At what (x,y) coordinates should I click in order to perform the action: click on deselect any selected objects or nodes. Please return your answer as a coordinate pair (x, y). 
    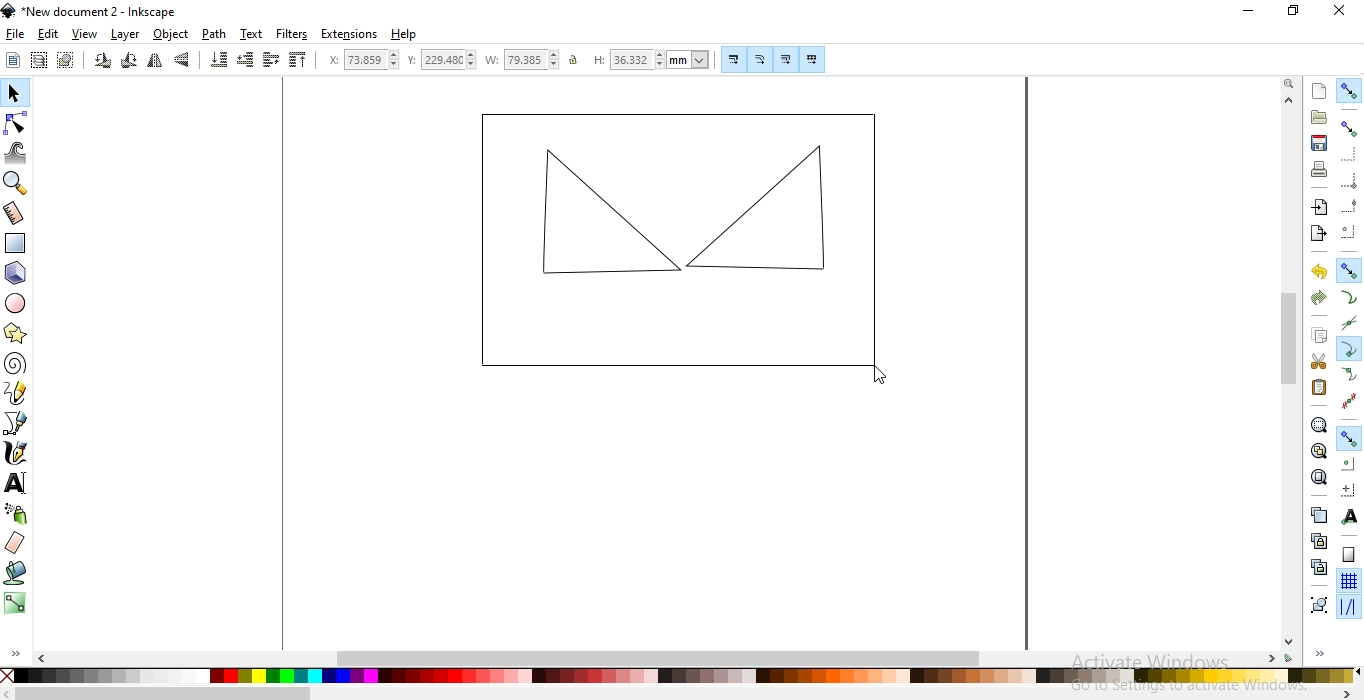
    Looking at the image, I should click on (67, 61).